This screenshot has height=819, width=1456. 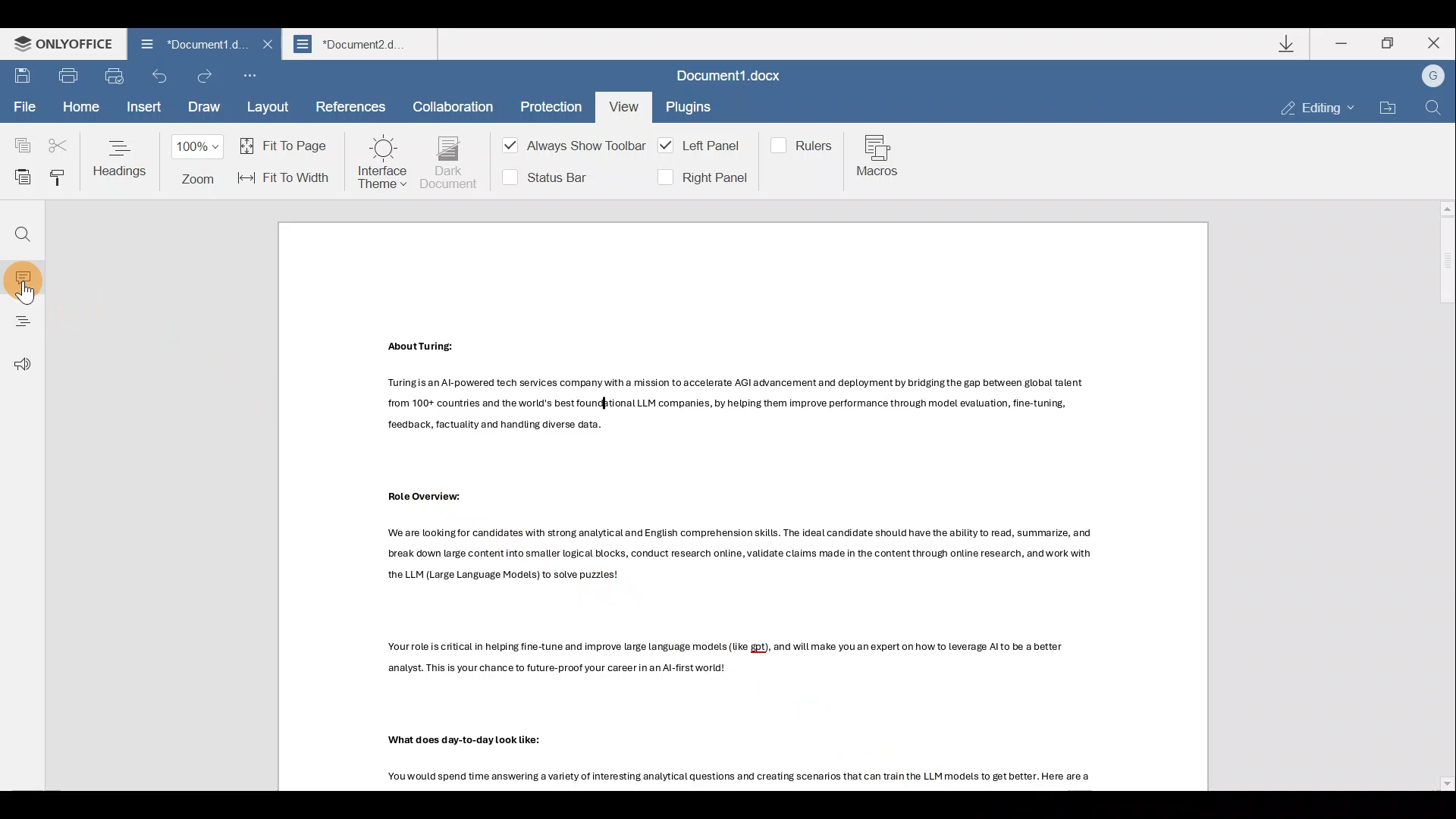 What do you see at coordinates (79, 107) in the screenshot?
I see `Home` at bounding box center [79, 107].